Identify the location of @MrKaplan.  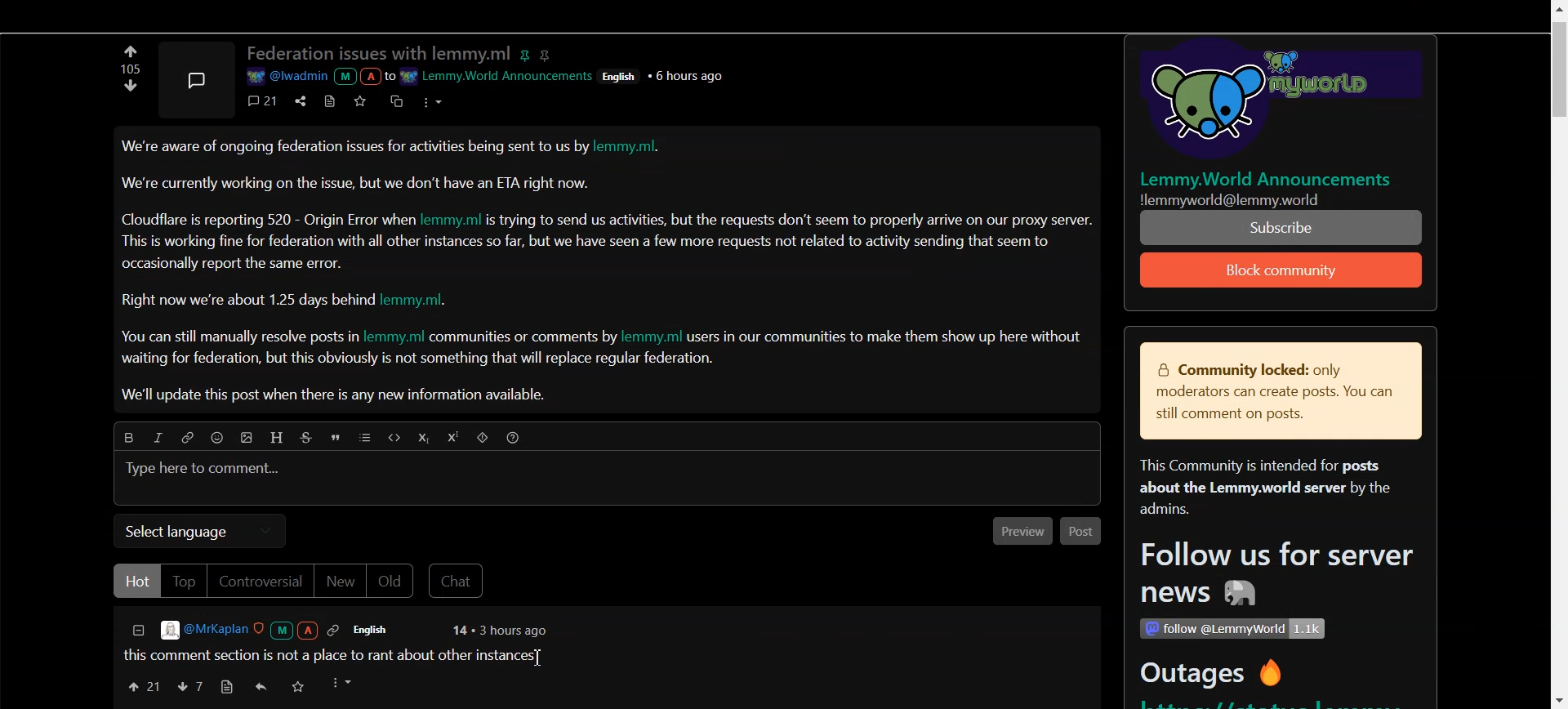
(252, 630).